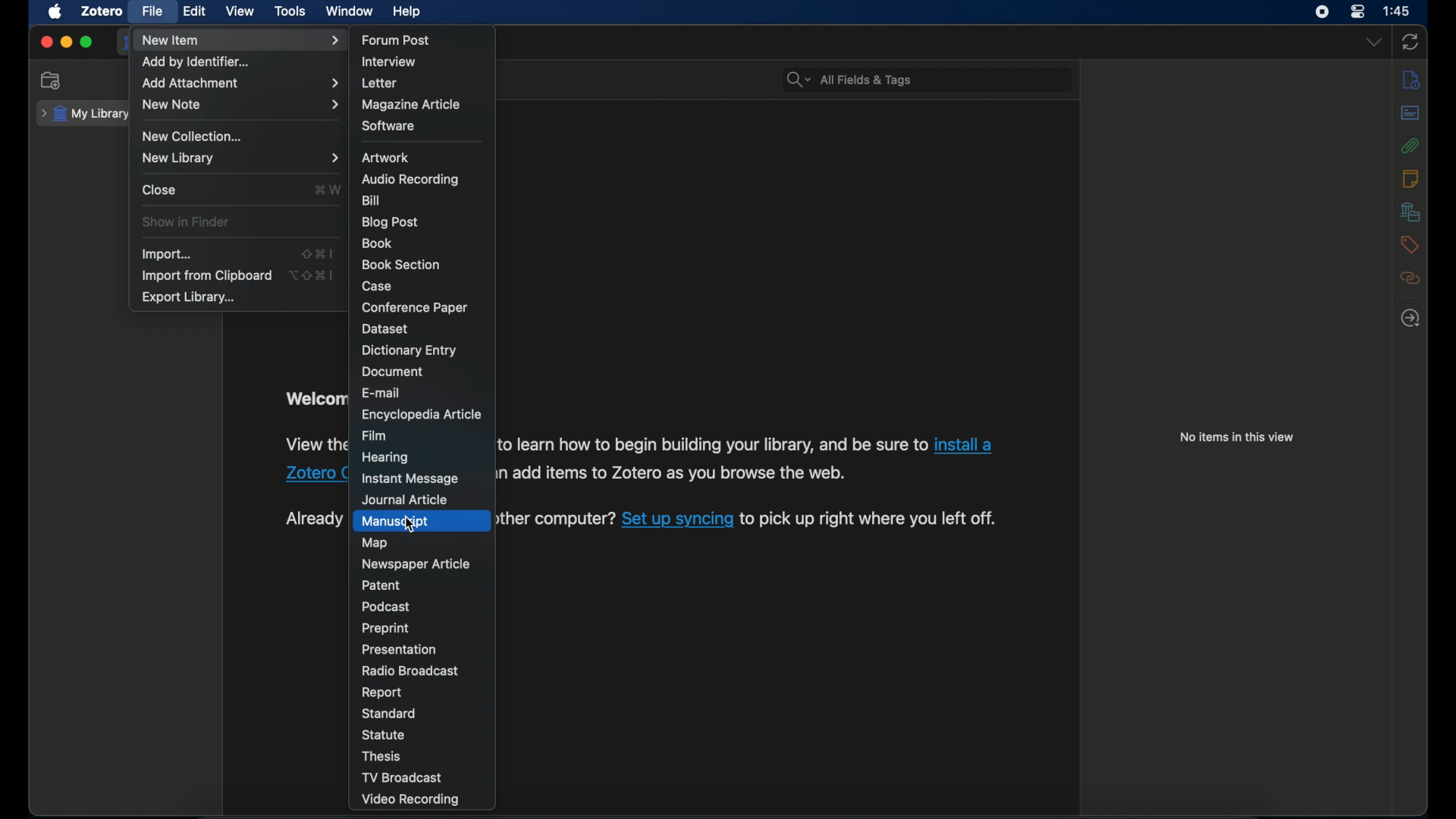 The height and width of the screenshot is (819, 1456). Describe the element at coordinates (317, 253) in the screenshot. I see `shift + command + I` at that location.